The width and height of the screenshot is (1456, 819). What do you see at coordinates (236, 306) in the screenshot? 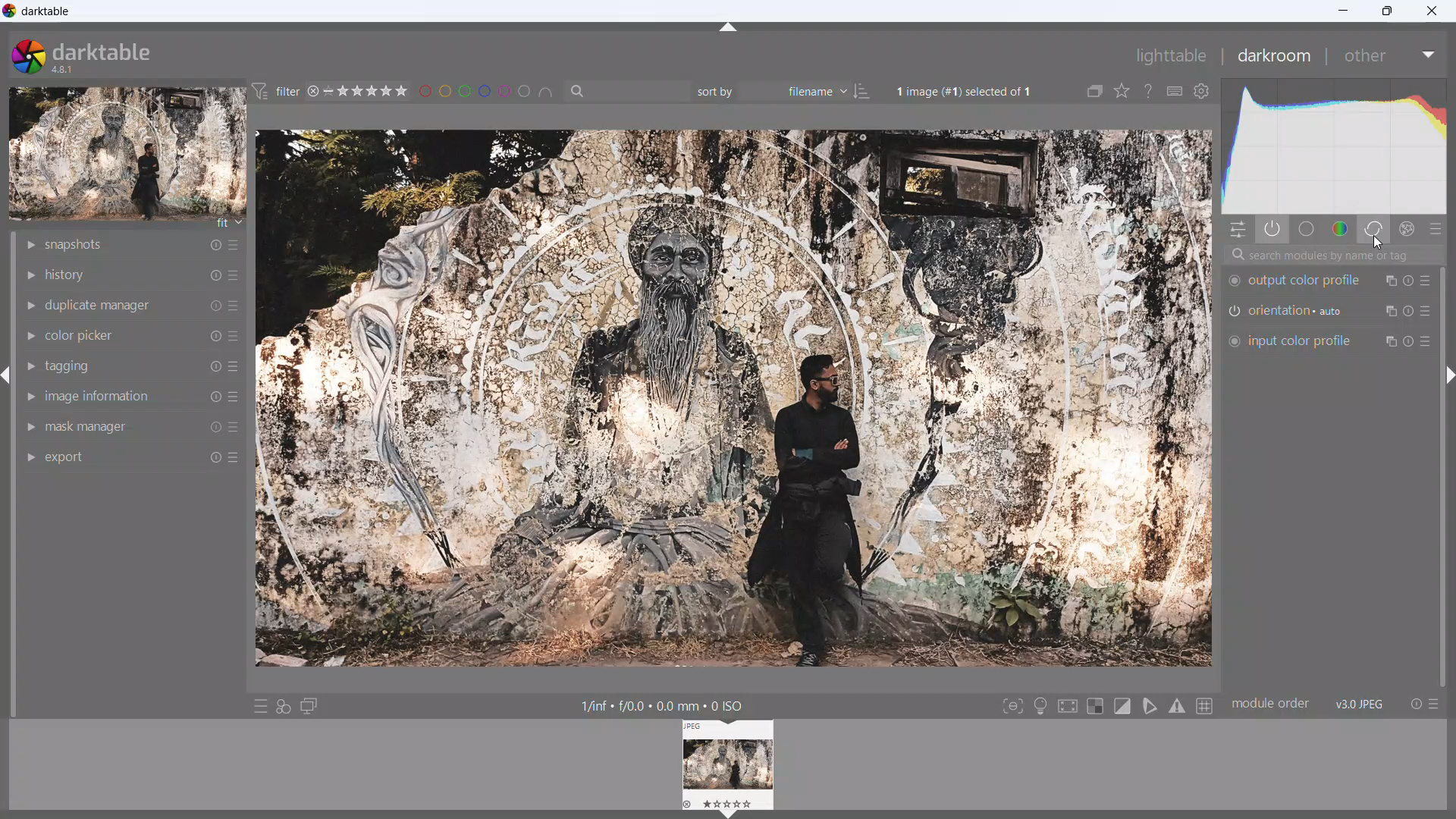
I see `more options` at bounding box center [236, 306].